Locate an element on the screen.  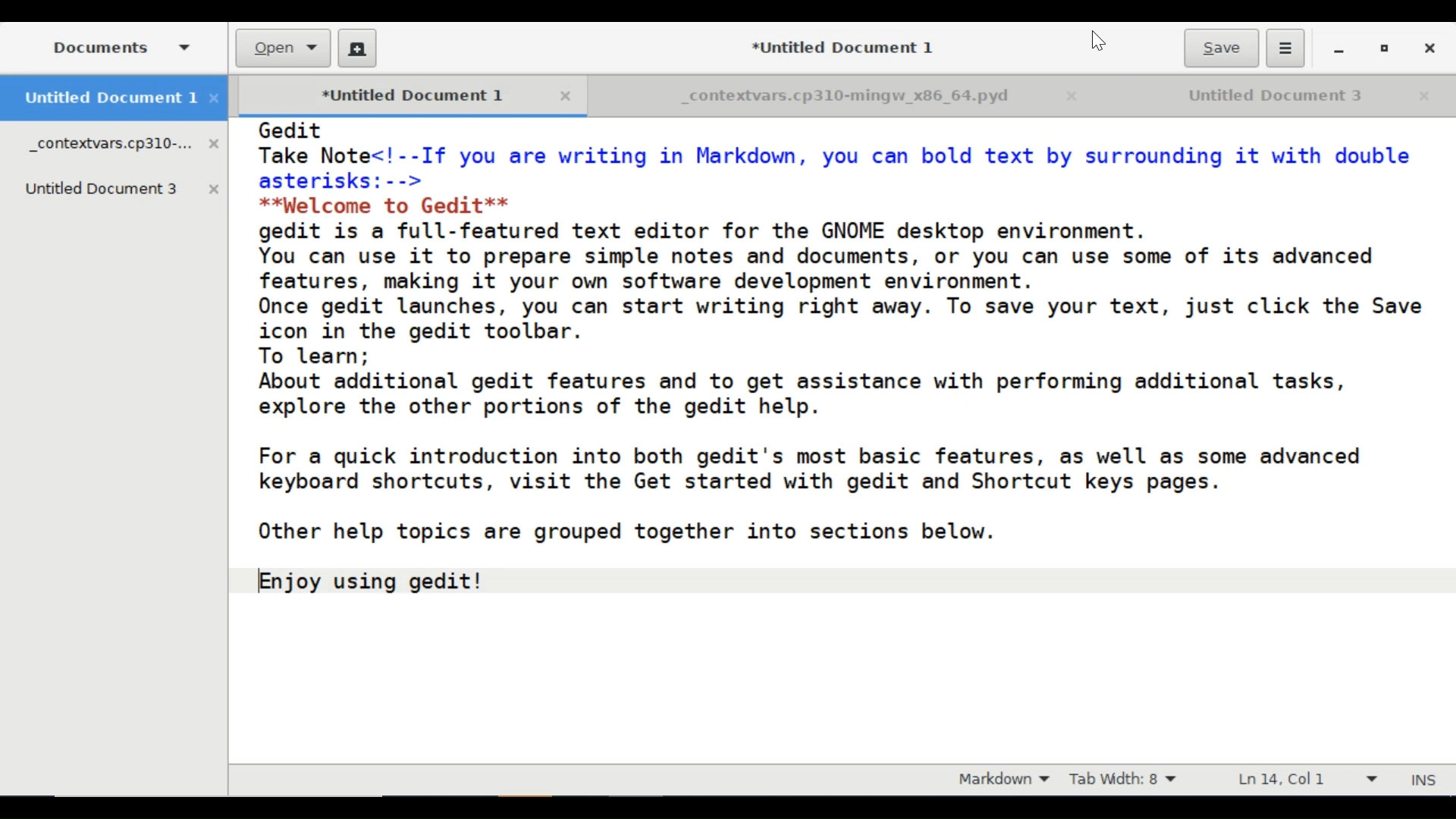
Tab Width is located at coordinates (1128, 780).